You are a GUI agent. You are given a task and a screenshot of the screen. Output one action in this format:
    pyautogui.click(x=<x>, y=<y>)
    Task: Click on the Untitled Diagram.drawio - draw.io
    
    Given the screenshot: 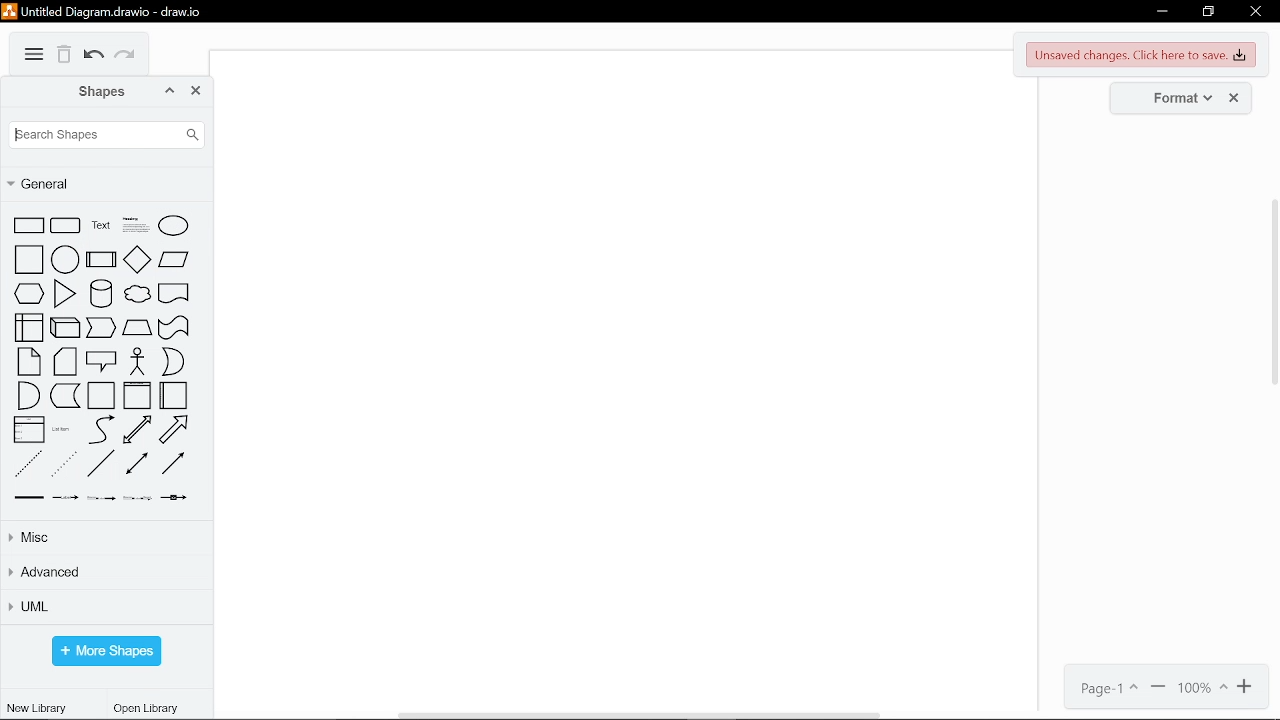 What is the action you would take?
    pyautogui.click(x=106, y=10)
    